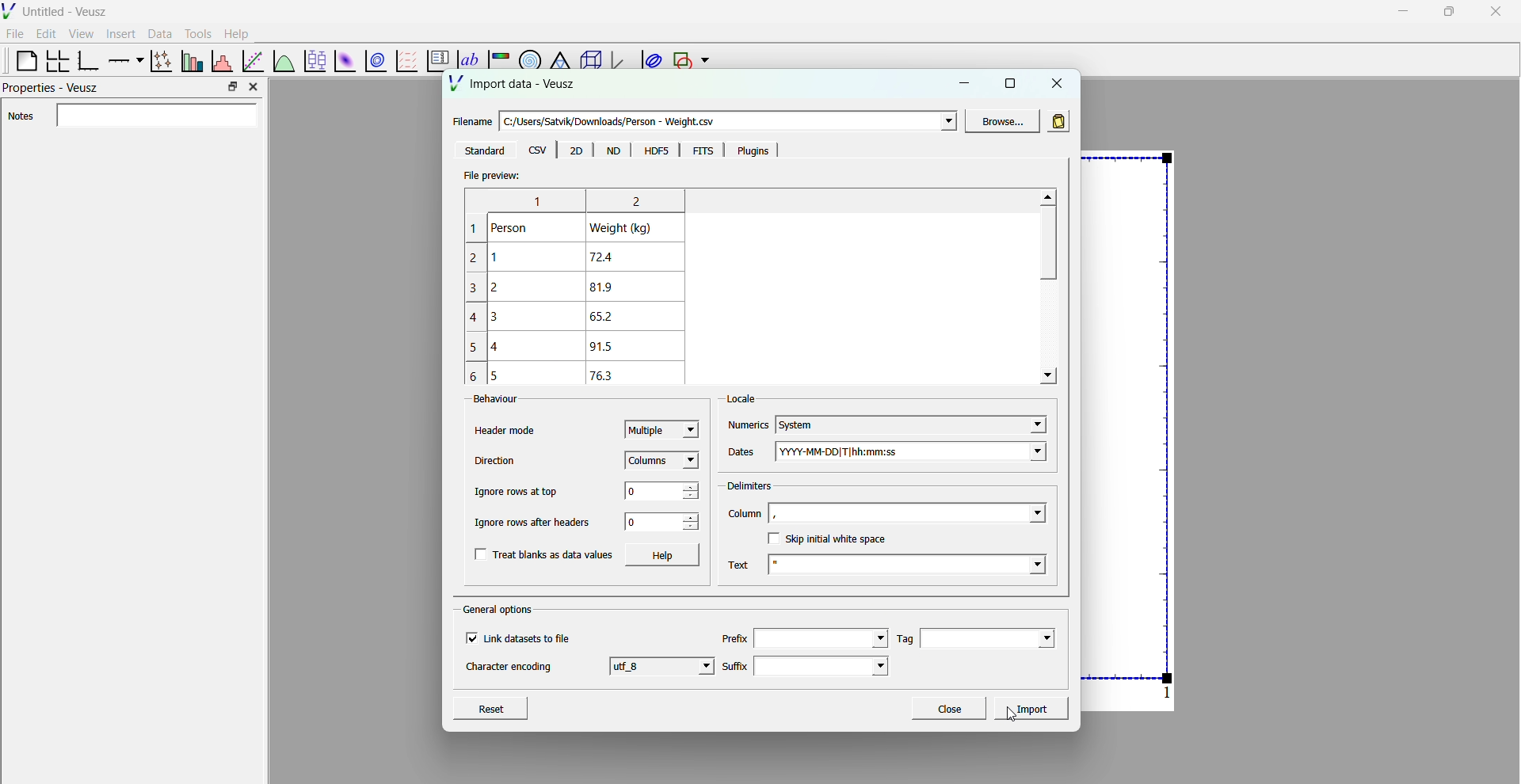 Image resolution: width=1521 pixels, height=784 pixels. What do you see at coordinates (124, 59) in the screenshot?
I see `add an axis to a plot` at bounding box center [124, 59].